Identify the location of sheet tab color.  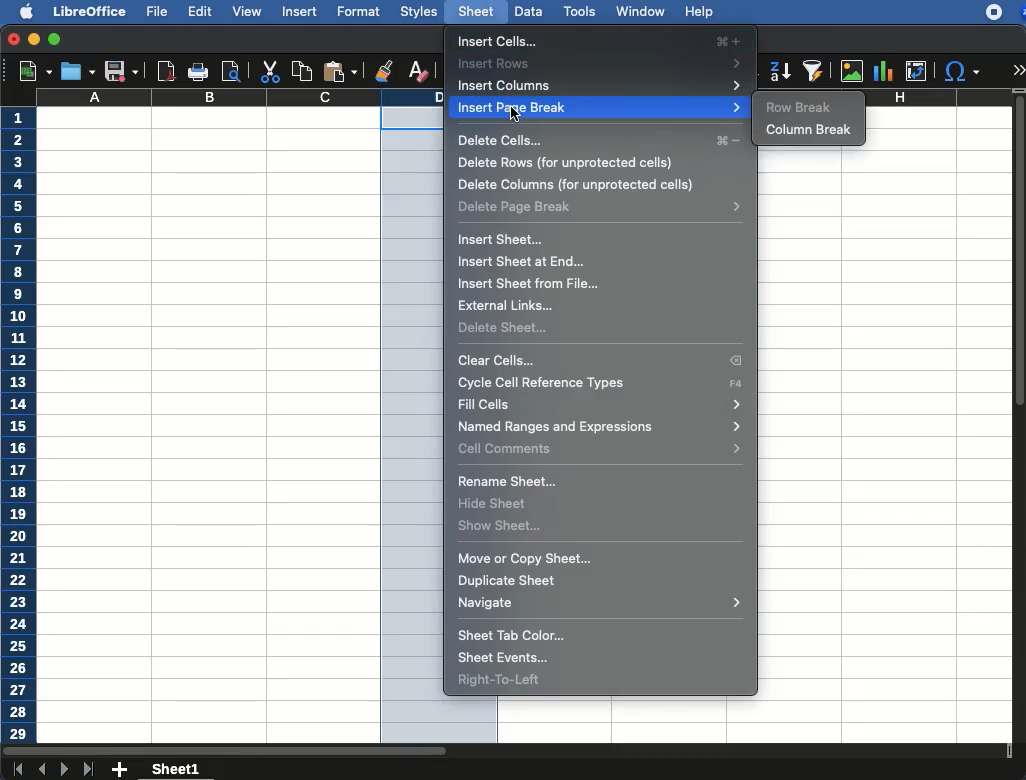
(514, 635).